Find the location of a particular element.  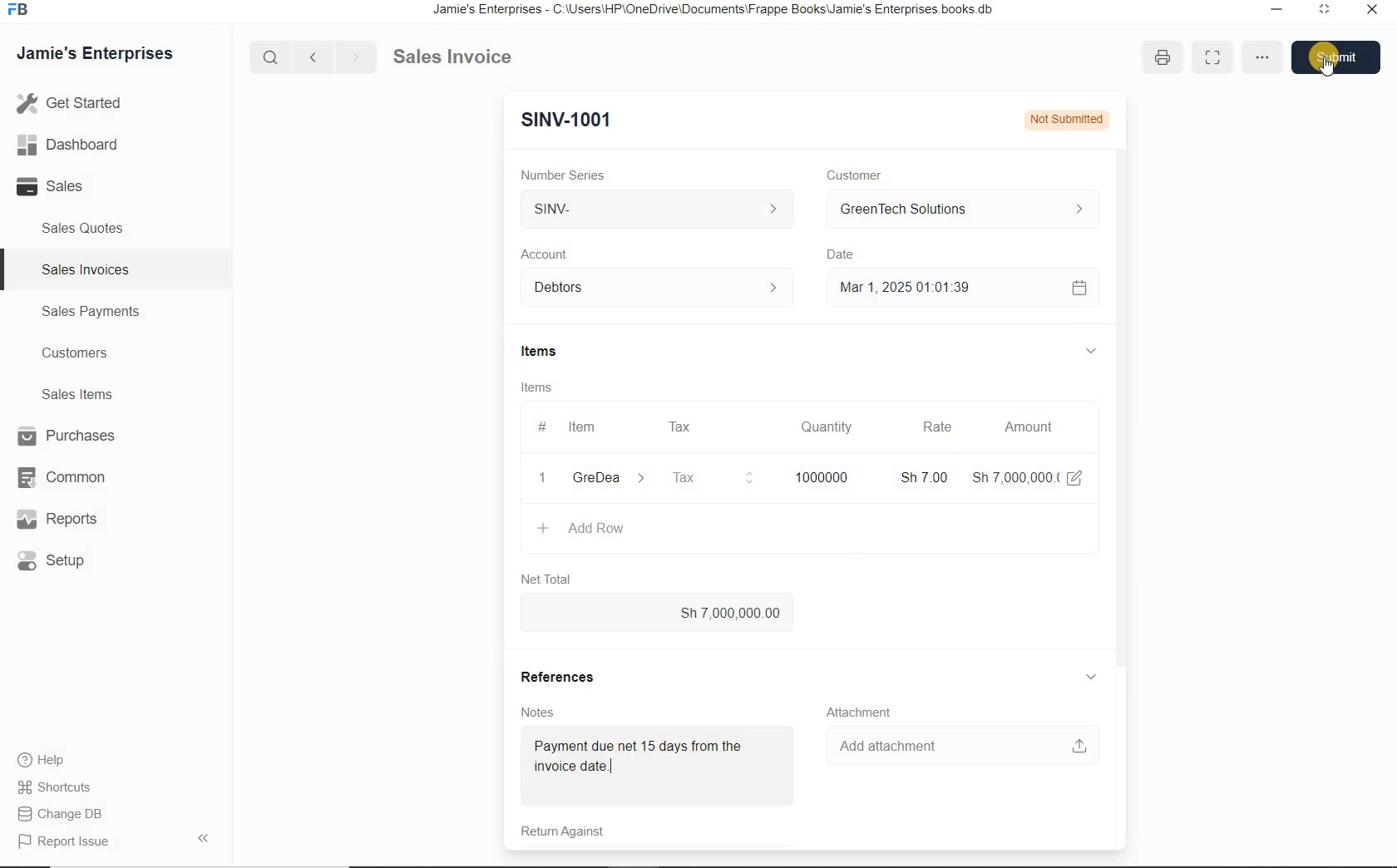

Customers is located at coordinates (72, 353).